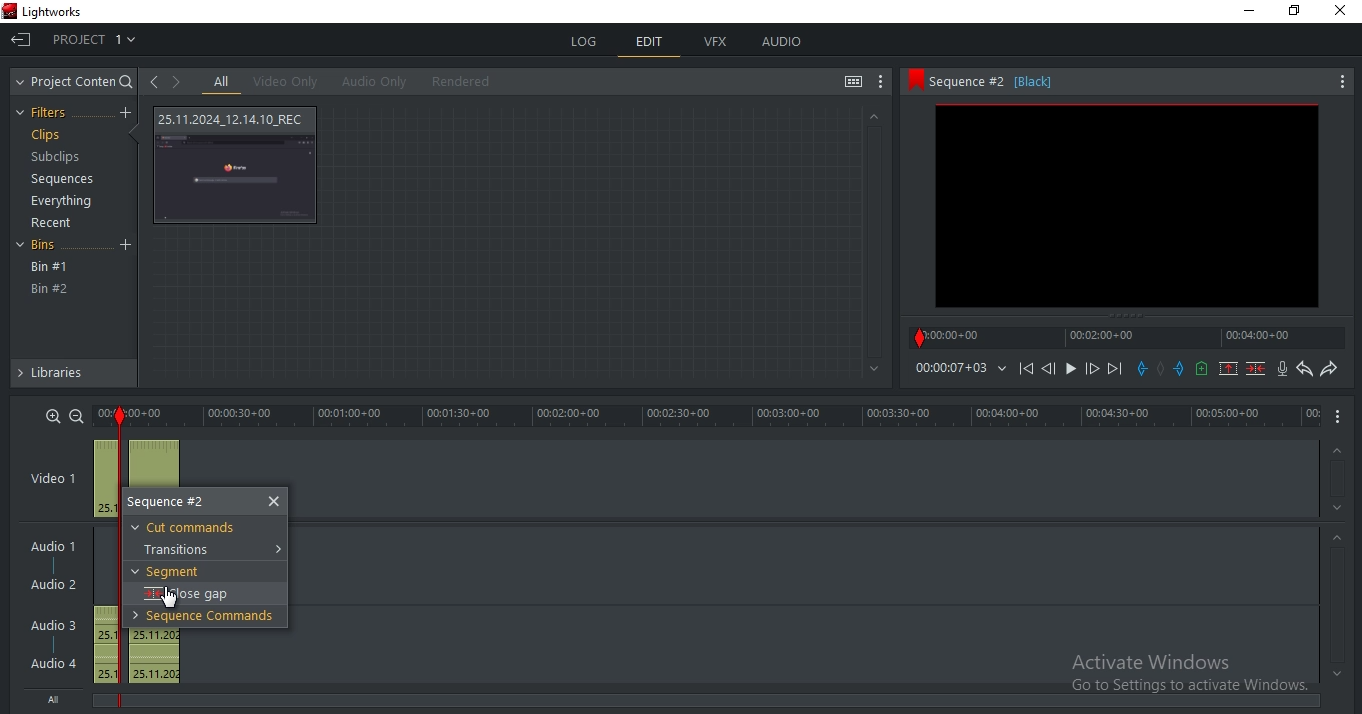  What do you see at coordinates (58, 159) in the screenshot?
I see `subclips` at bounding box center [58, 159].